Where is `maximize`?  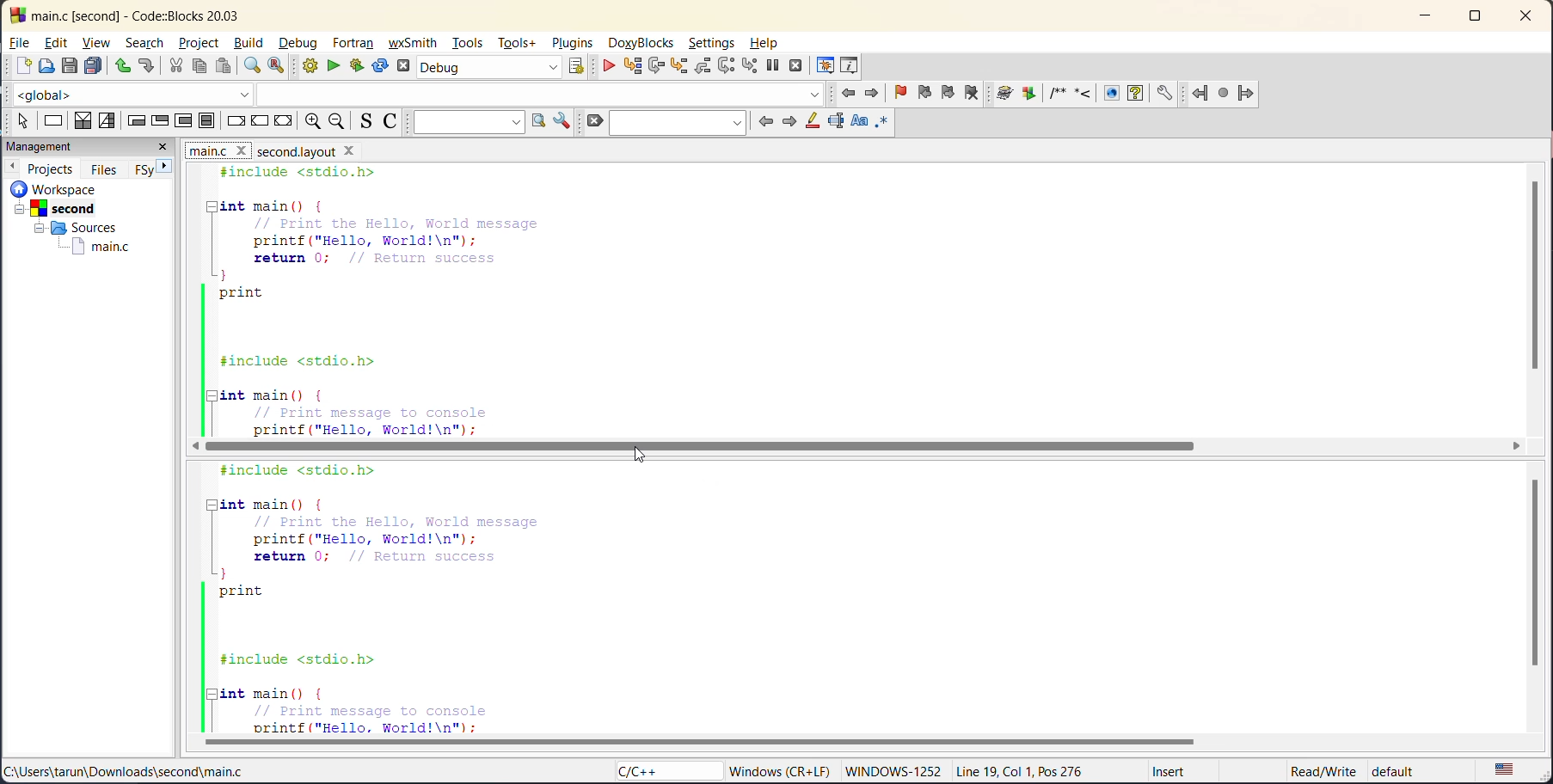
maximize is located at coordinates (1479, 17).